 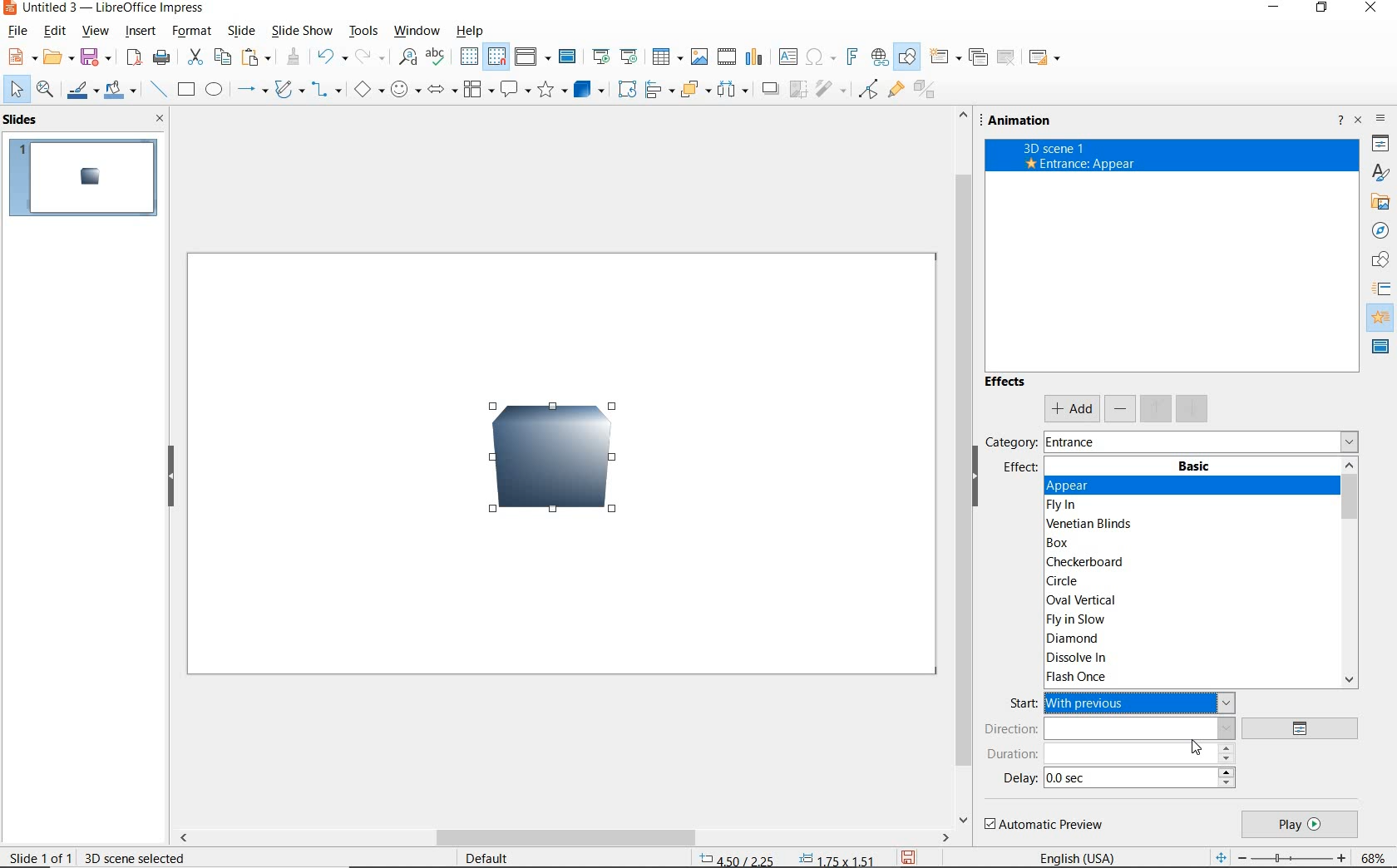 I want to click on file name, so click(x=106, y=9).